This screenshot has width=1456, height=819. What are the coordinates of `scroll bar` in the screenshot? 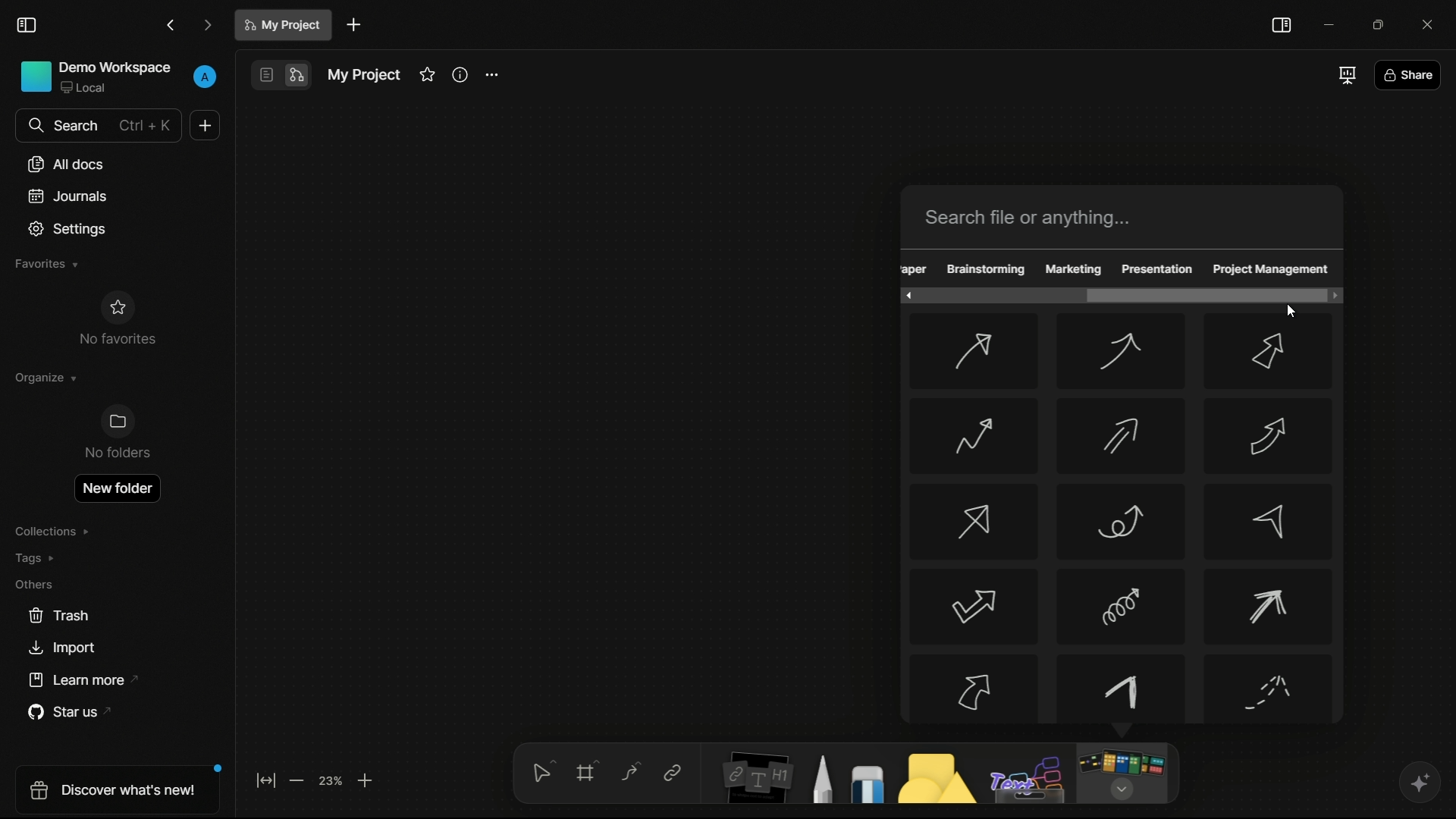 It's located at (1202, 294).